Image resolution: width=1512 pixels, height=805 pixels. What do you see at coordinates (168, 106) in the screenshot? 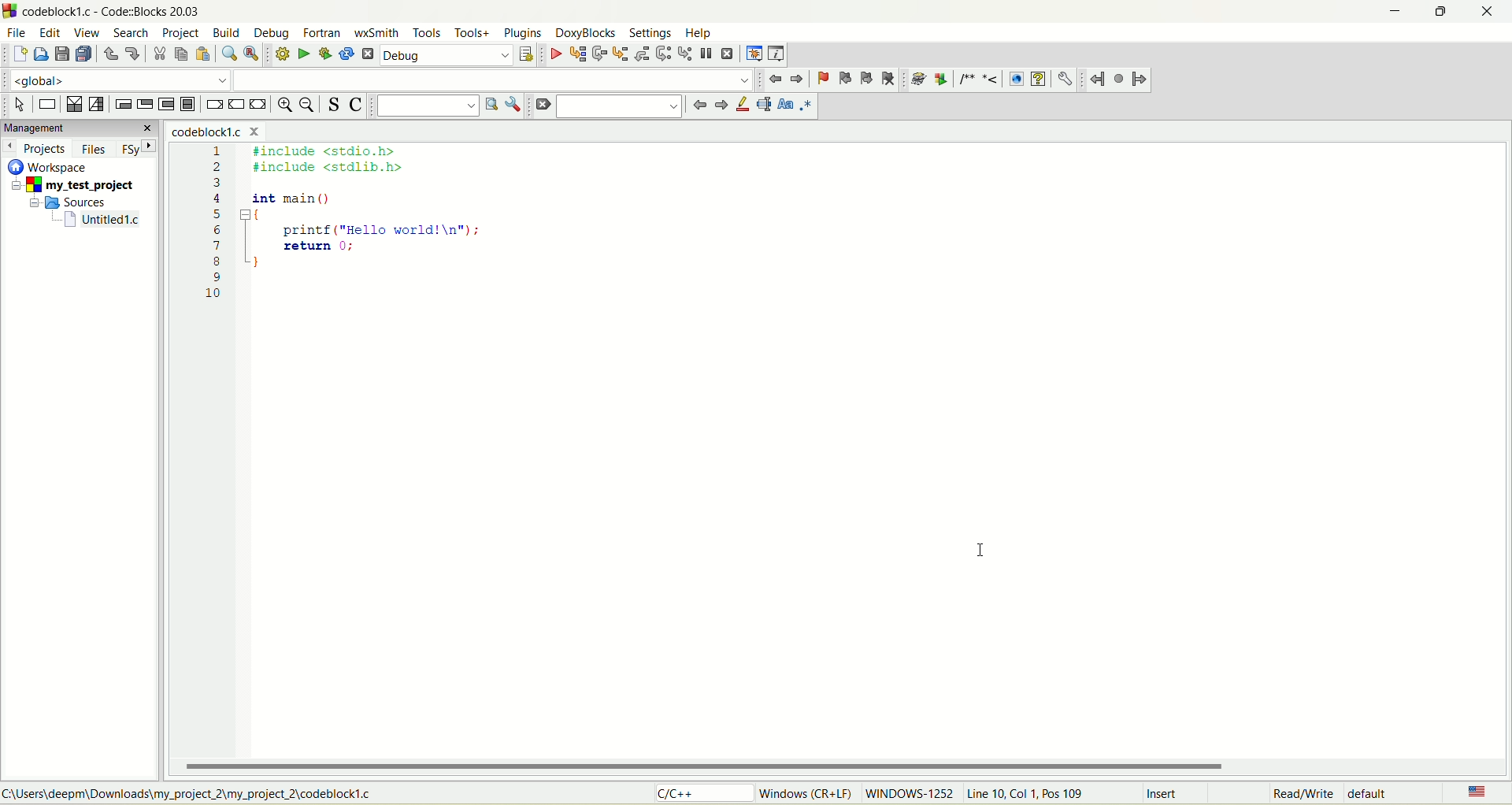
I see `counting loop` at bounding box center [168, 106].